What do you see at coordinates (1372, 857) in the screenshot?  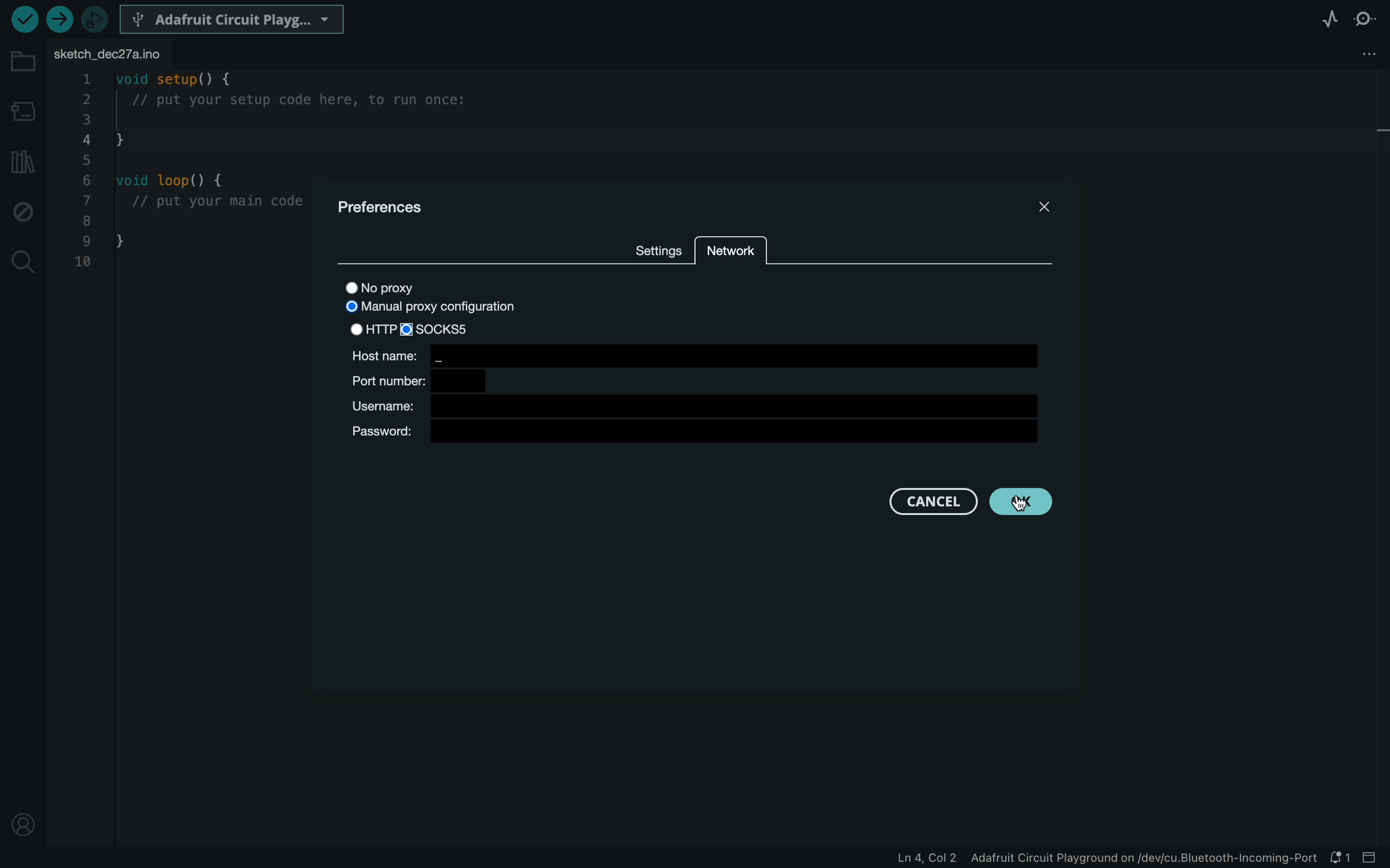 I see `close slide bar` at bounding box center [1372, 857].